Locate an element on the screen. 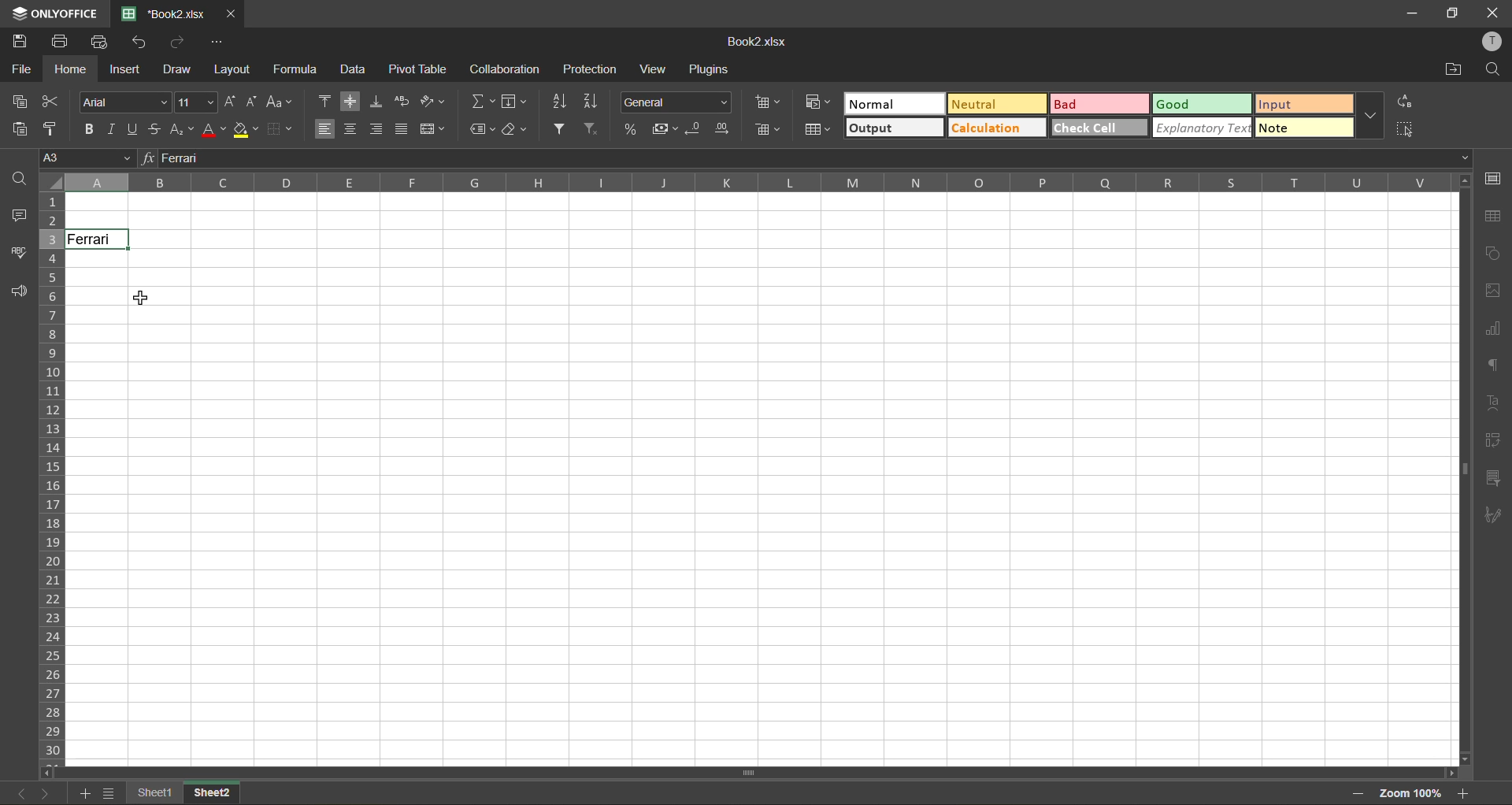 The width and height of the screenshot is (1512, 805). justified is located at coordinates (401, 128).